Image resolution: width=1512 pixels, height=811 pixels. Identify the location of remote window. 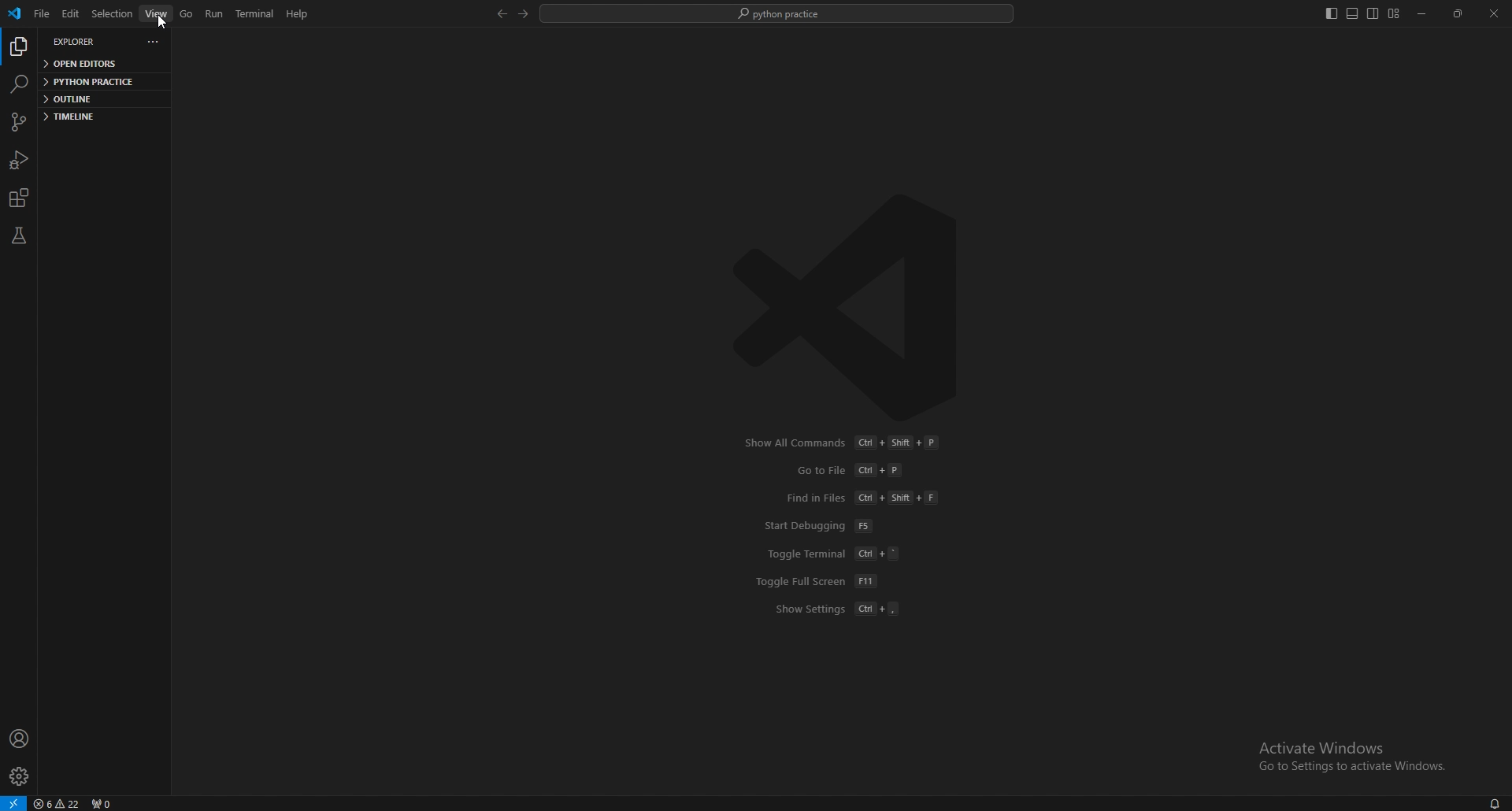
(14, 802).